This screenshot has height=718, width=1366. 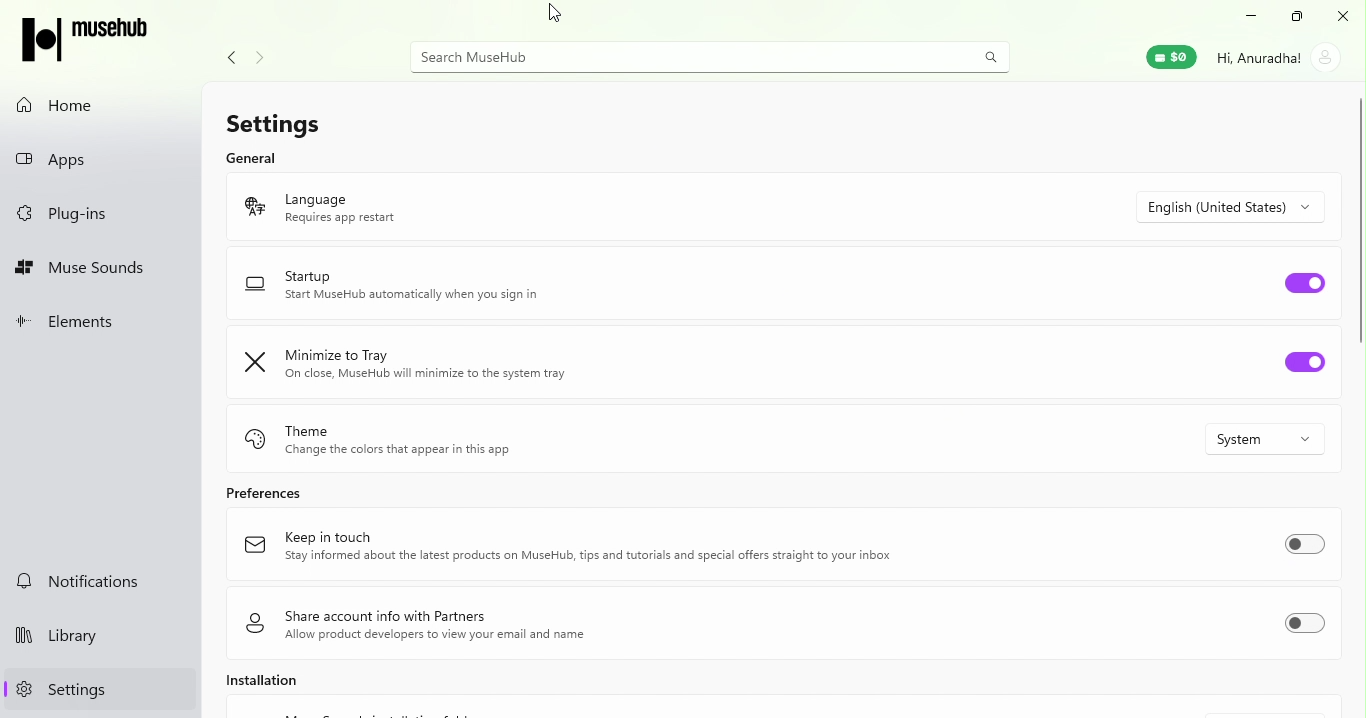 I want to click on General, so click(x=252, y=156).